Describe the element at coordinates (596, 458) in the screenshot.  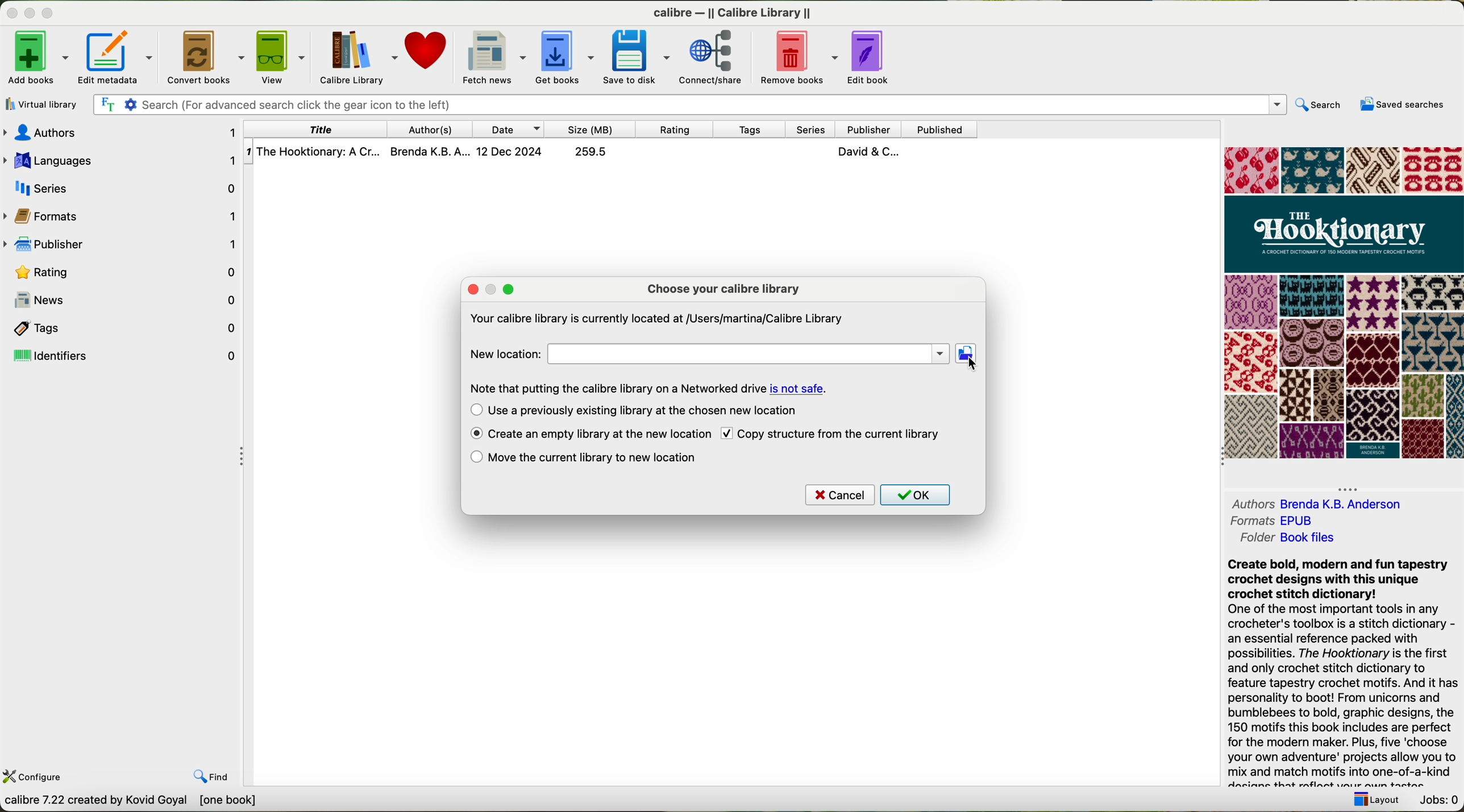
I see `move the current library to the new location` at that location.